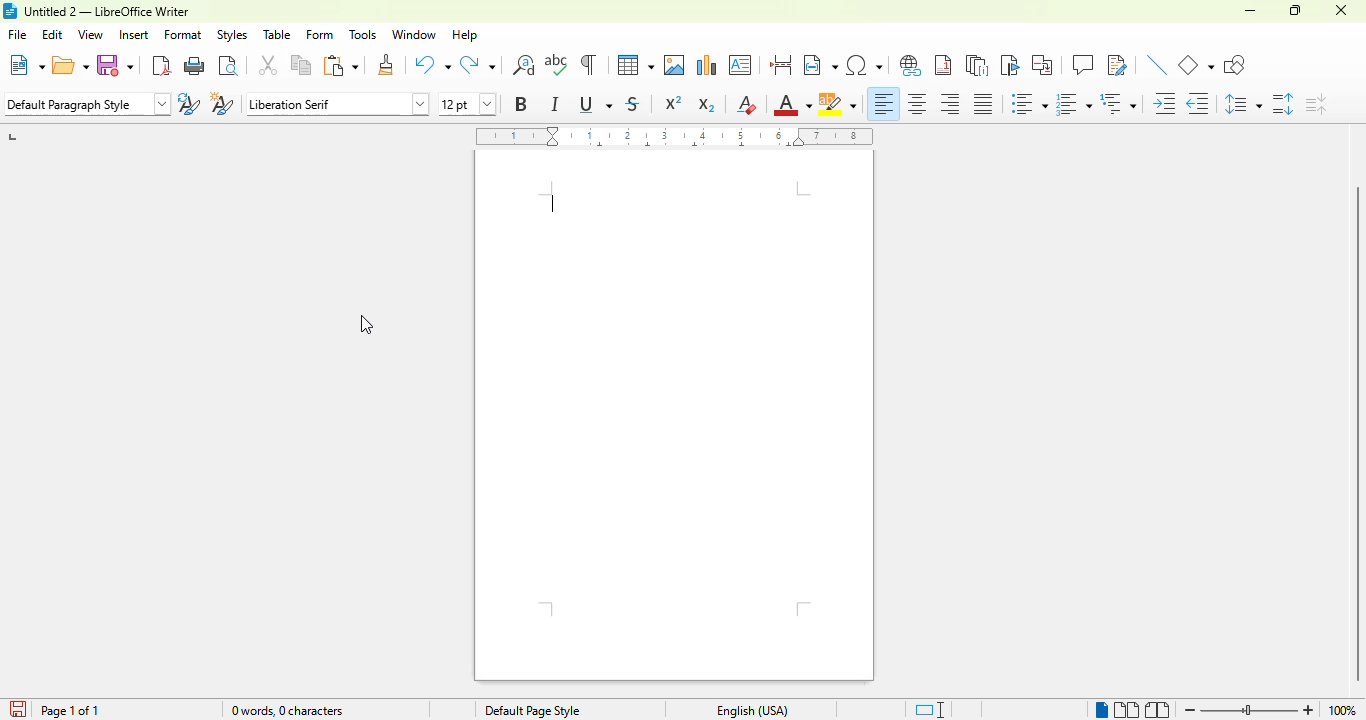 Image resolution: width=1366 pixels, height=720 pixels. What do you see at coordinates (1343, 710) in the screenshot?
I see `zoom factor` at bounding box center [1343, 710].